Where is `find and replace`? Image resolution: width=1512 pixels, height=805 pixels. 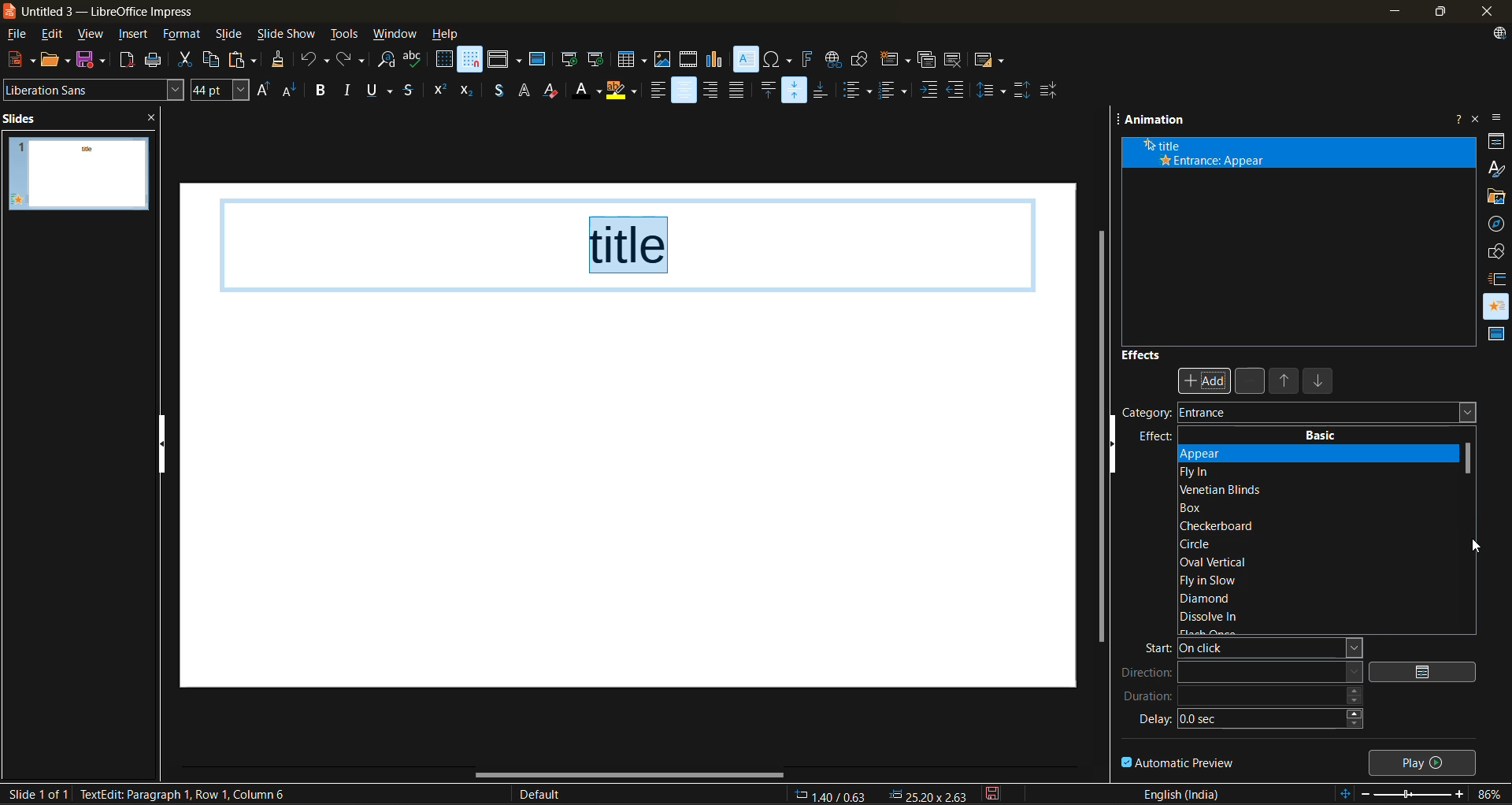 find and replace is located at coordinates (387, 61).